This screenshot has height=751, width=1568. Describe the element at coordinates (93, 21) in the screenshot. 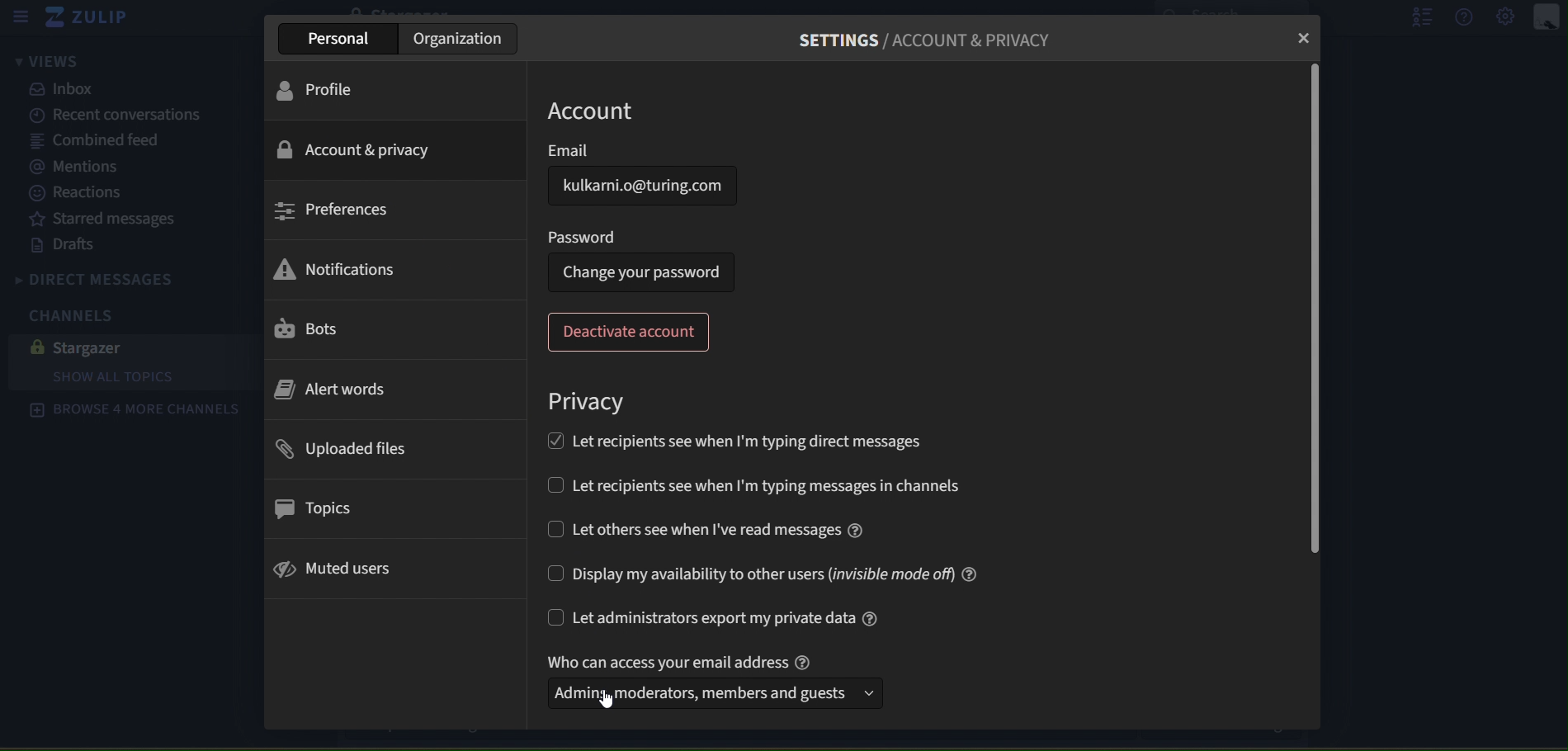

I see `zulip` at that location.